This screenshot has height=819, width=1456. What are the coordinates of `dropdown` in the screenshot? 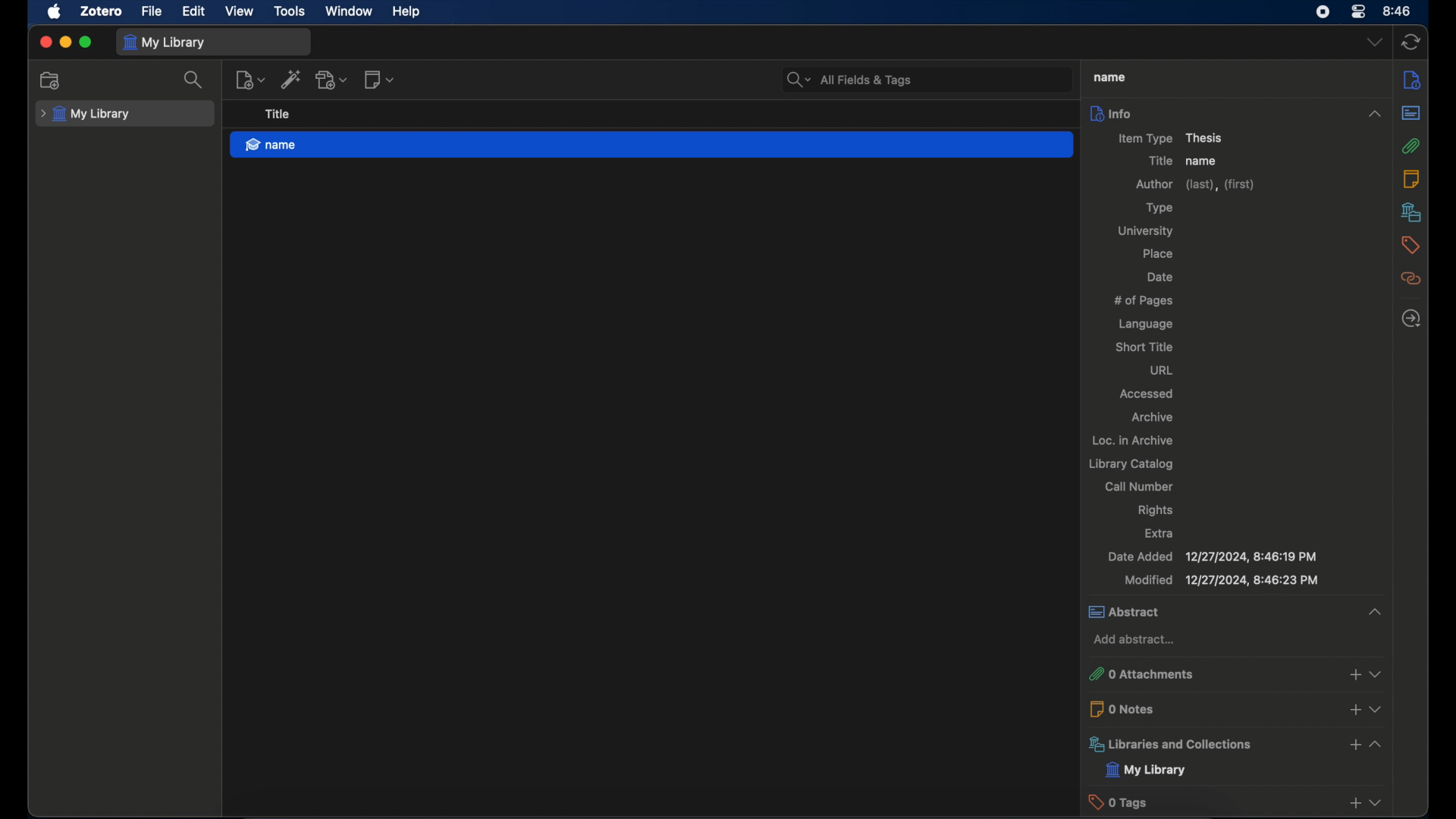 It's located at (1376, 670).